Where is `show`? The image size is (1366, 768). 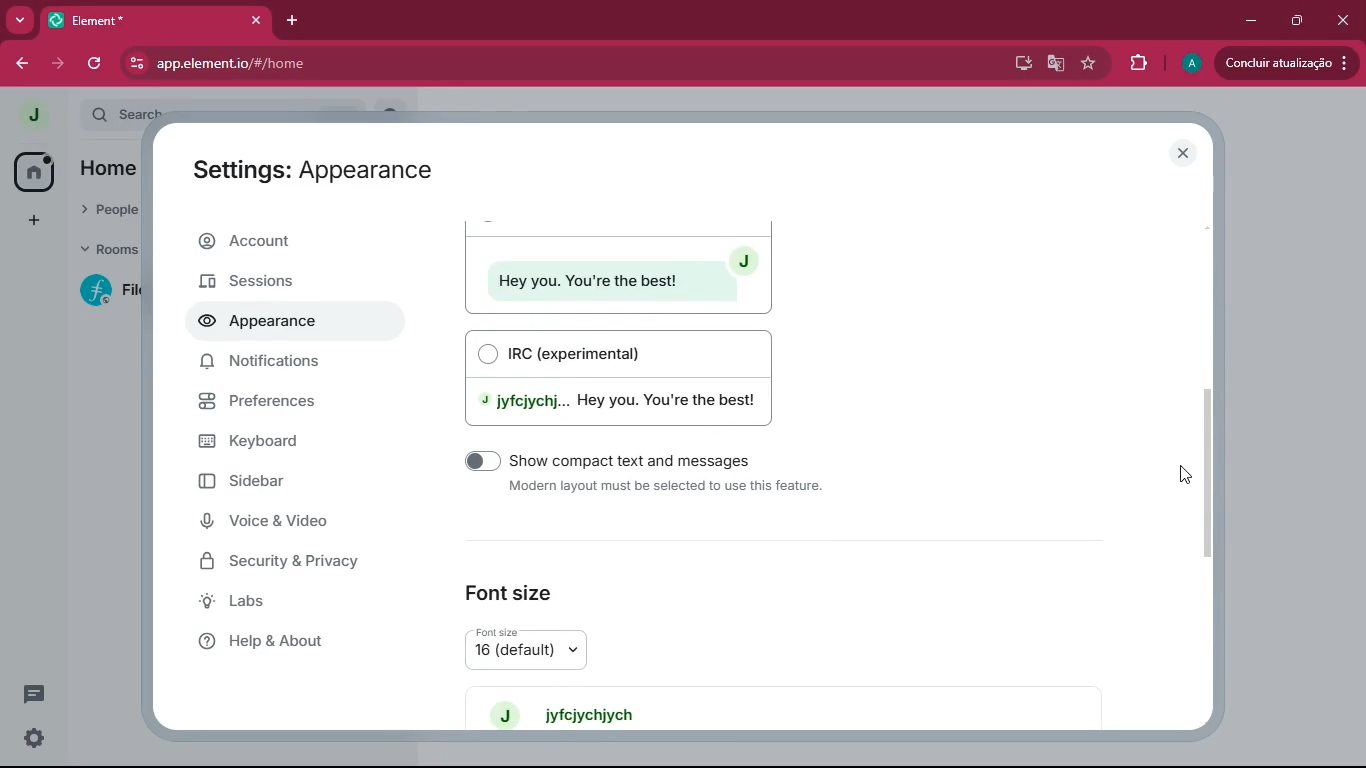 show is located at coordinates (656, 459).